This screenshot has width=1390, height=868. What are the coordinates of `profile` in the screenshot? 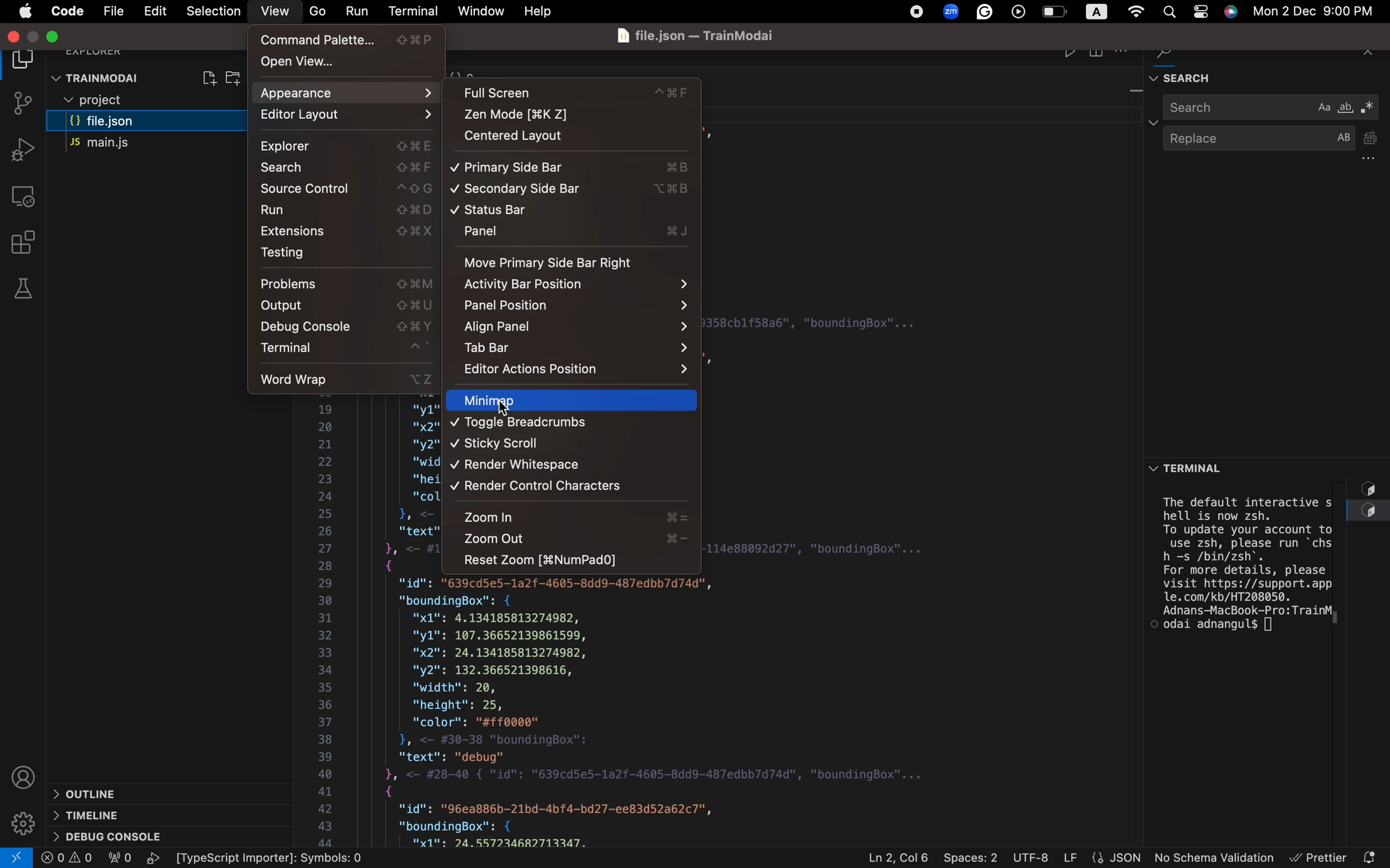 It's located at (24, 777).